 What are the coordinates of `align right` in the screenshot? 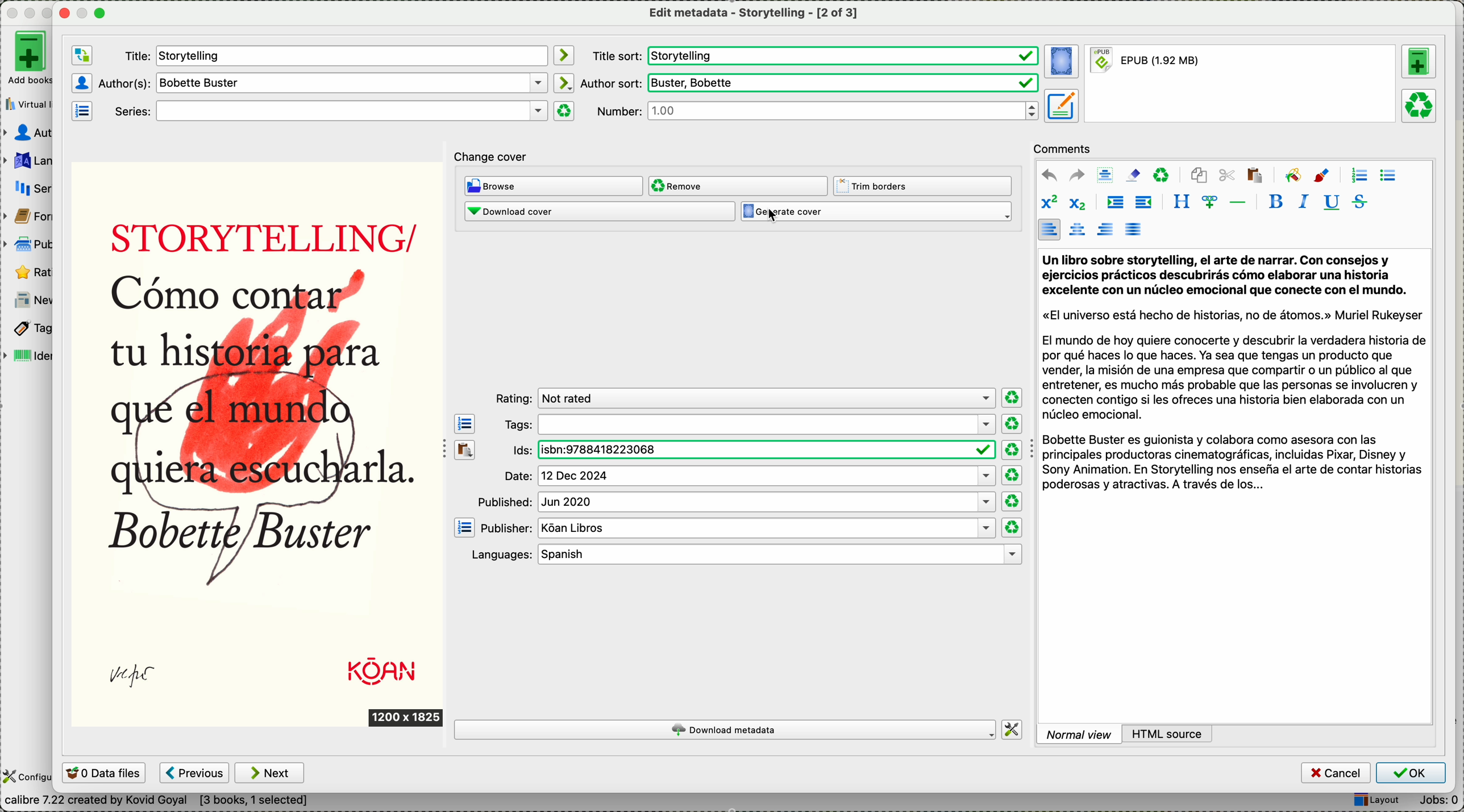 It's located at (1103, 229).